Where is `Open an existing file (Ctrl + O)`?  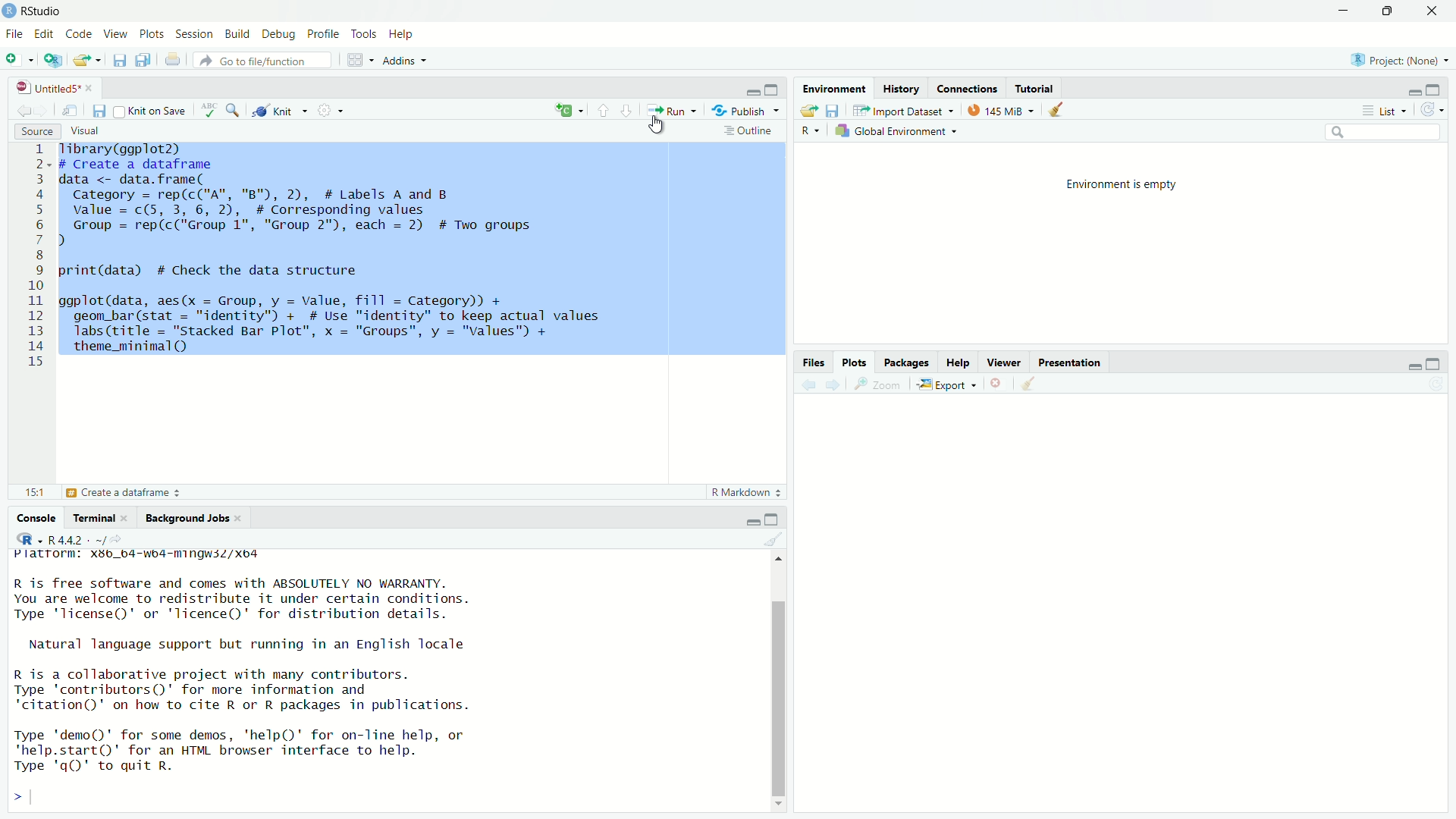
Open an existing file (Ctrl + O) is located at coordinates (87, 59).